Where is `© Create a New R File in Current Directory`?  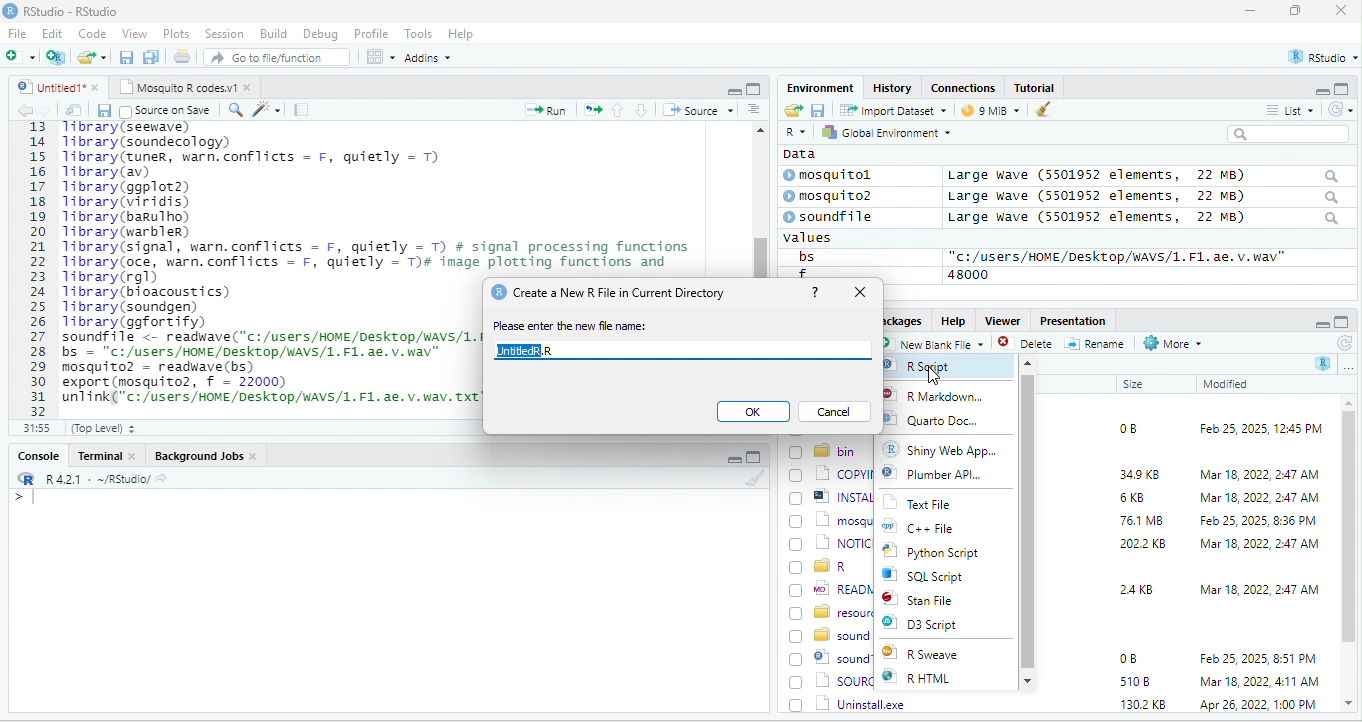 © Create a New R File in Current Directory is located at coordinates (612, 291).